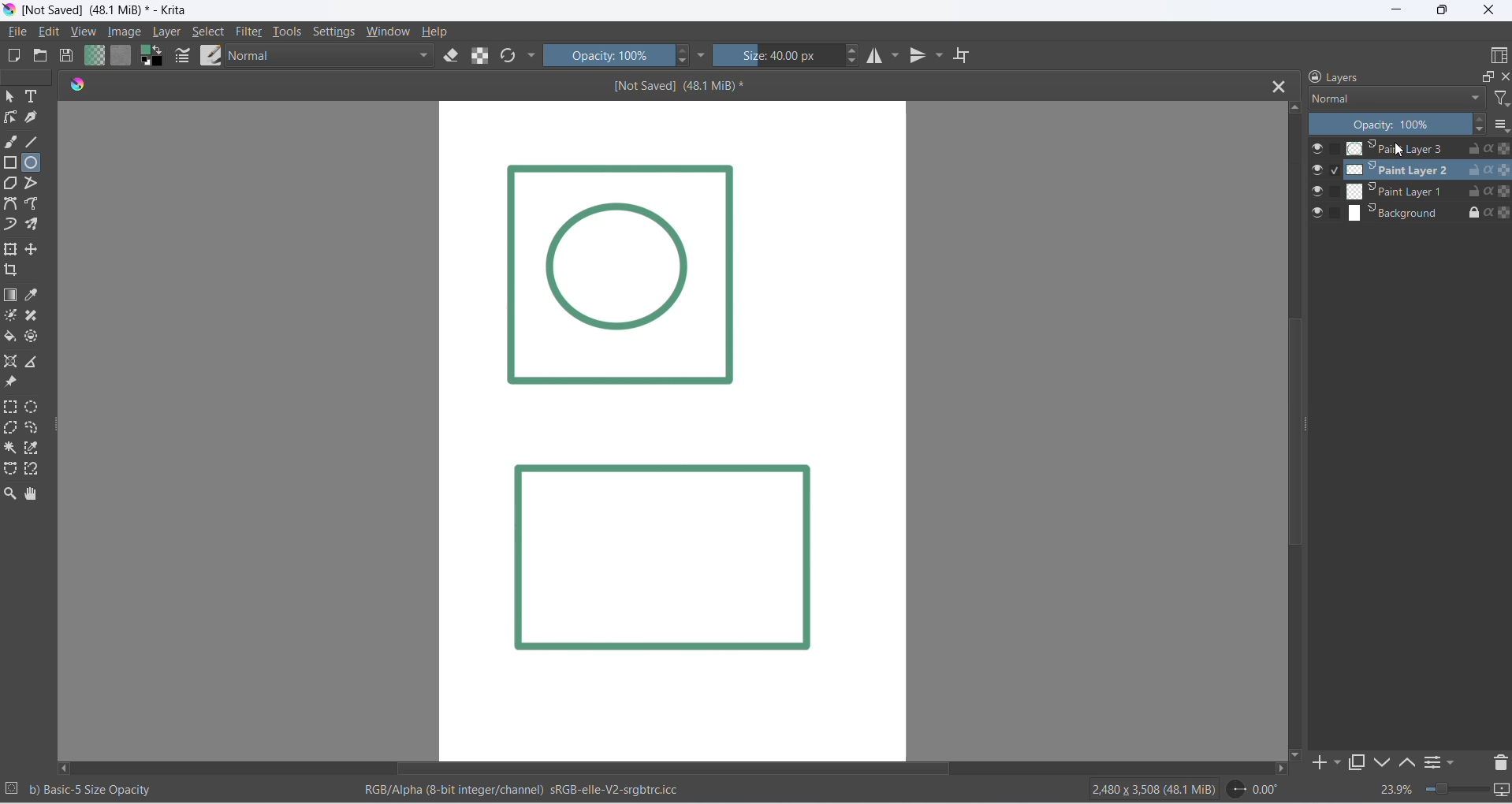 Image resolution: width=1512 pixels, height=804 pixels. What do you see at coordinates (13, 226) in the screenshot?
I see `dynamic brush tool` at bounding box center [13, 226].